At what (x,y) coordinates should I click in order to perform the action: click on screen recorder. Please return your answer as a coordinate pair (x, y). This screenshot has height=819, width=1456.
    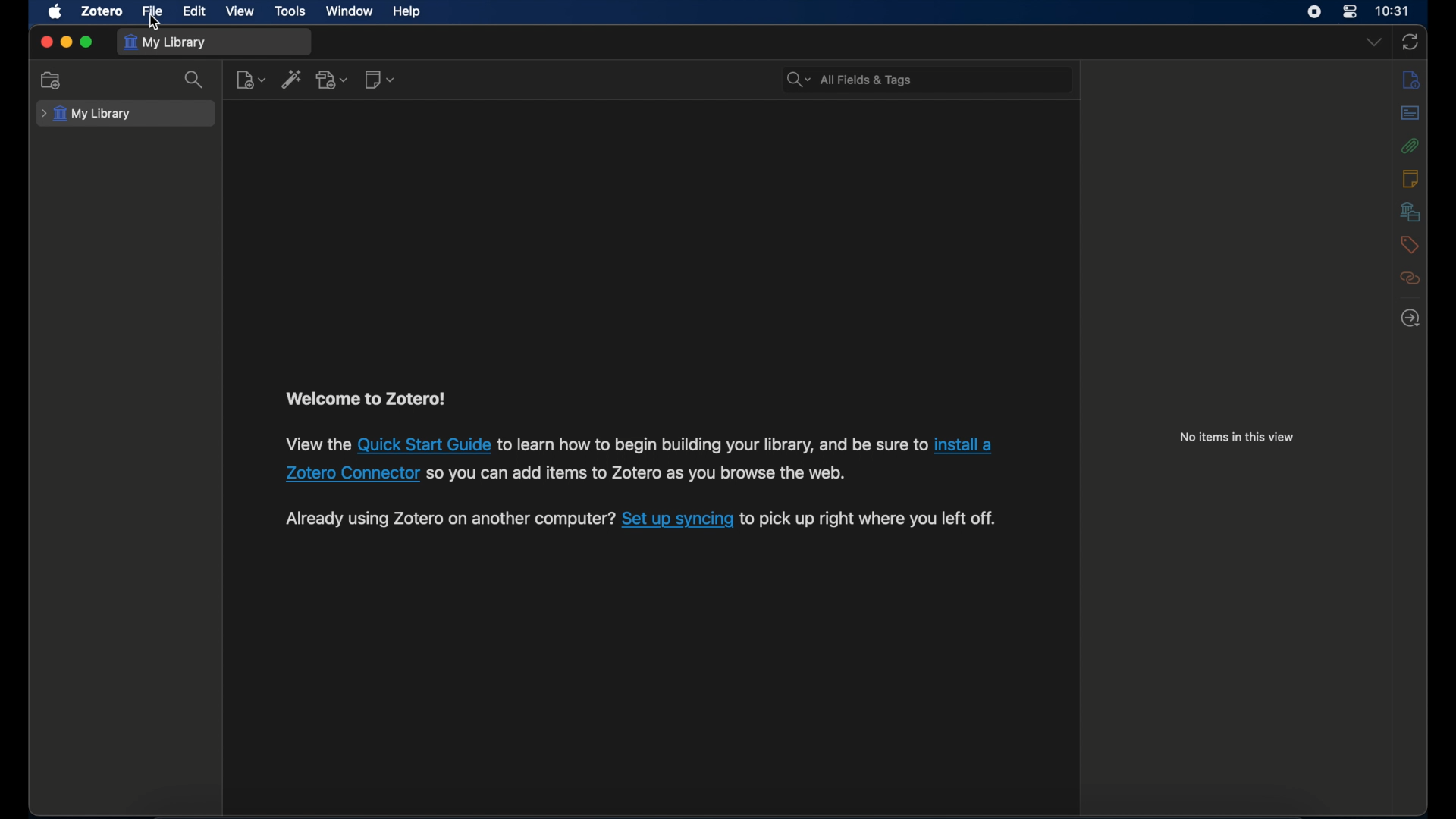
    Looking at the image, I should click on (1314, 12).